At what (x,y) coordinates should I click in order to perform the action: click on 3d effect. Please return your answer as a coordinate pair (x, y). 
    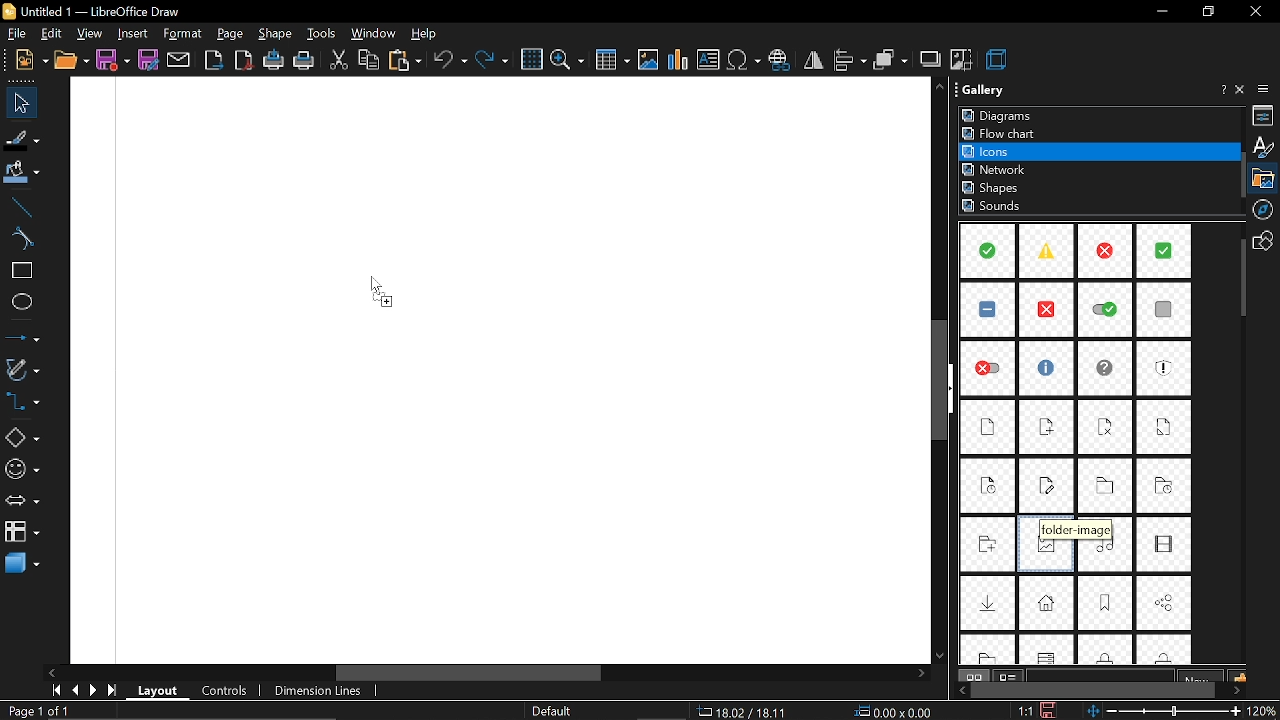
    Looking at the image, I should click on (998, 60).